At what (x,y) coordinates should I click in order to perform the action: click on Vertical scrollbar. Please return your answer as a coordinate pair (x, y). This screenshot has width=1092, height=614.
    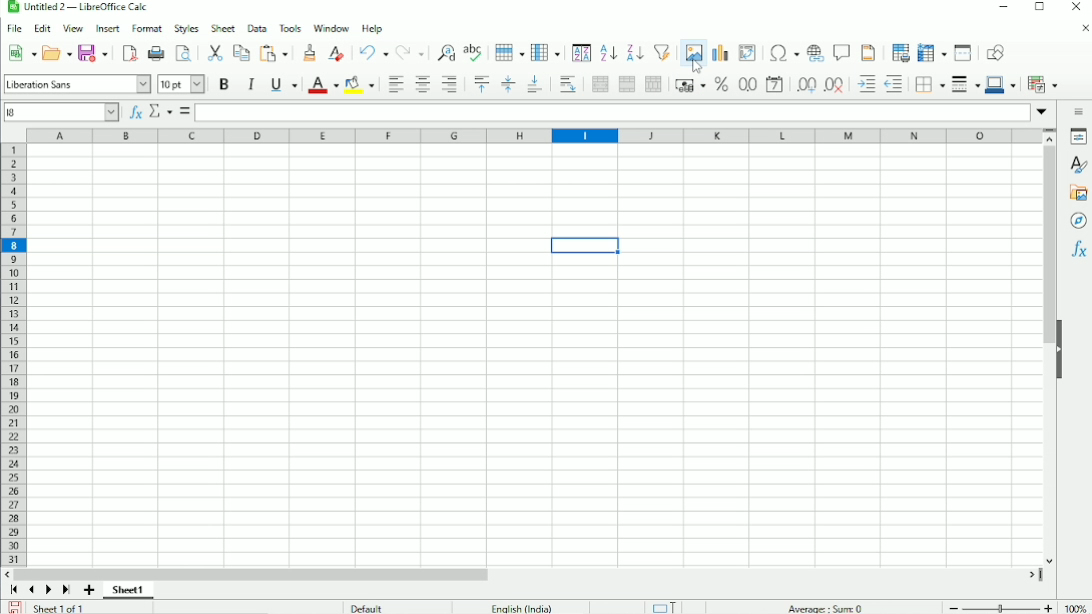
    Looking at the image, I should click on (1046, 356).